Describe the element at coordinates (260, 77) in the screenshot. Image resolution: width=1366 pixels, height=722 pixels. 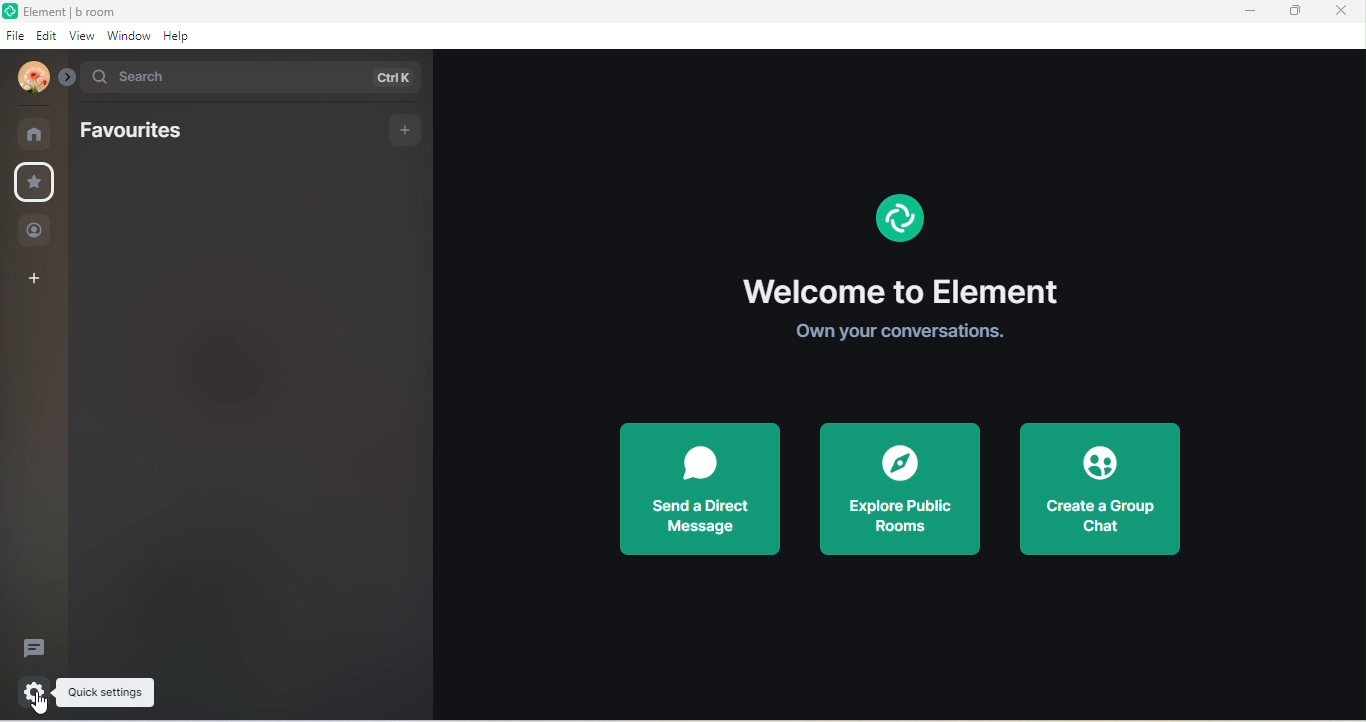
I see `search` at that location.